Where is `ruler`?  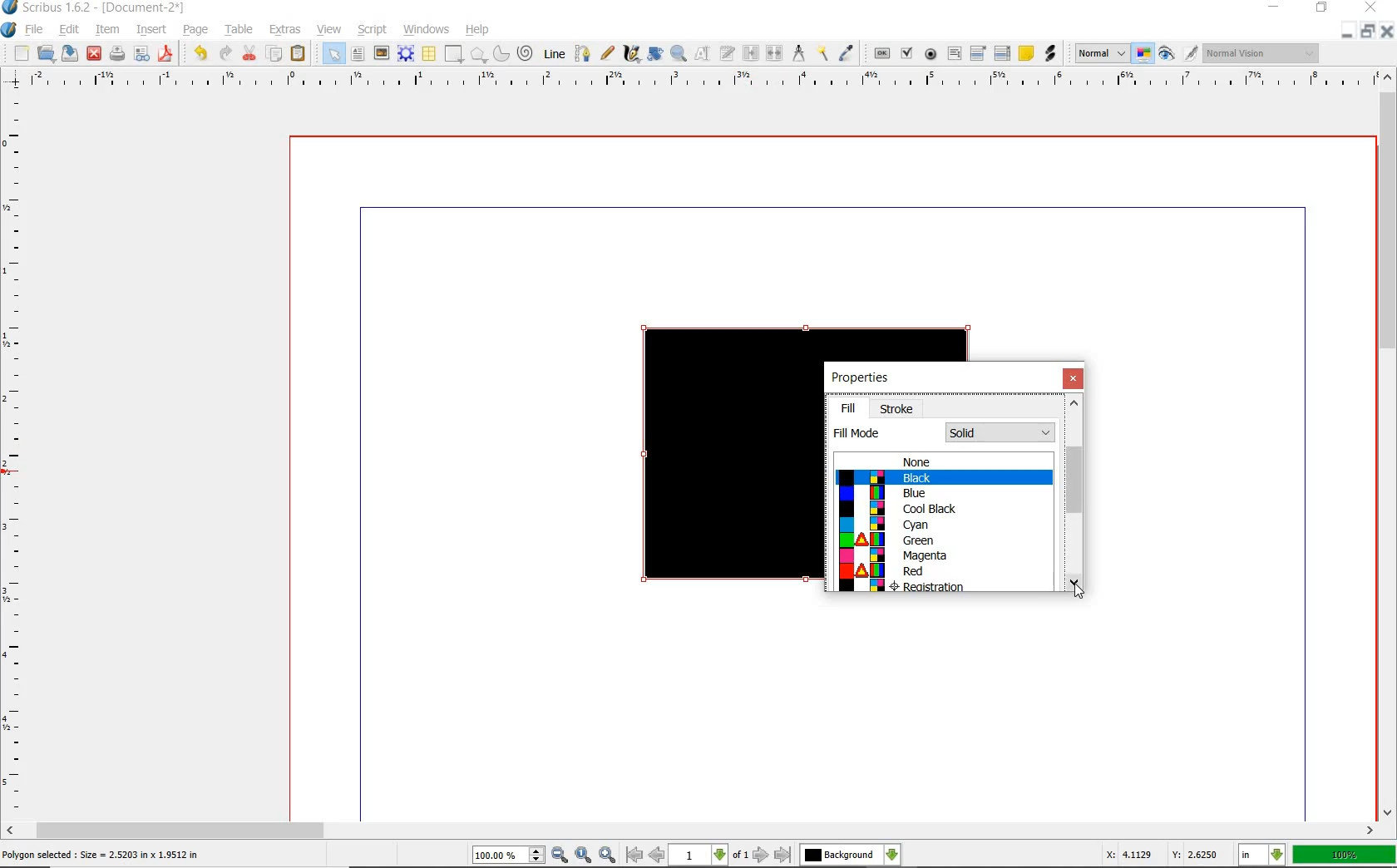
ruler is located at coordinates (696, 81).